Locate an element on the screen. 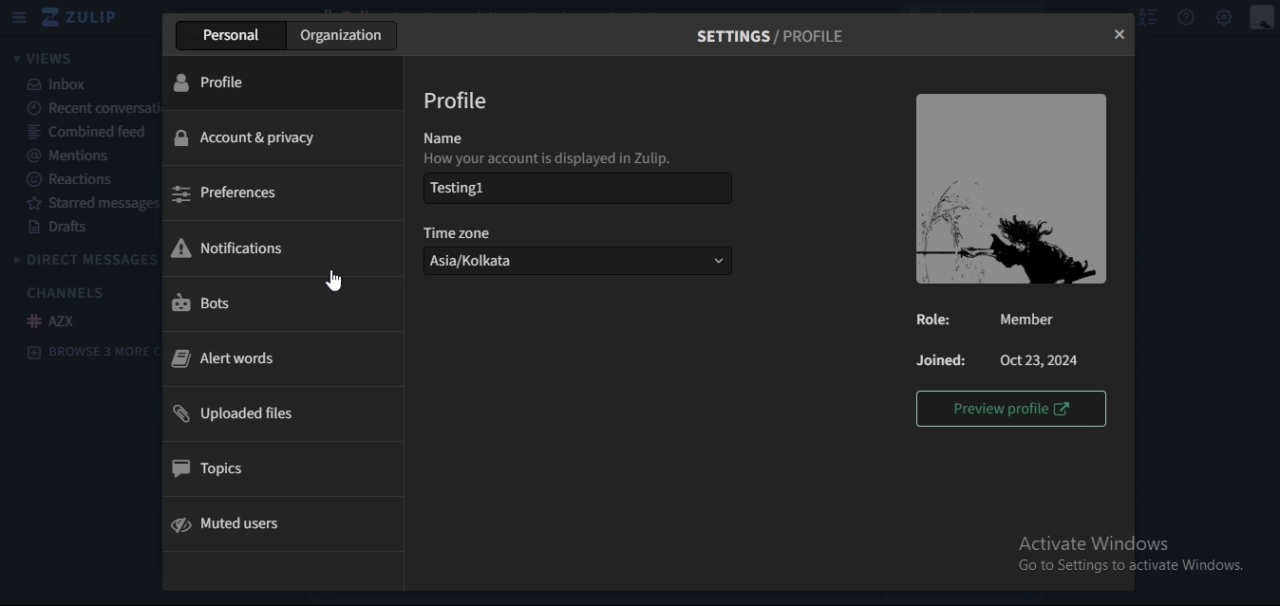 The image size is (1280, 606). topics is located at coordinates (218, 469).